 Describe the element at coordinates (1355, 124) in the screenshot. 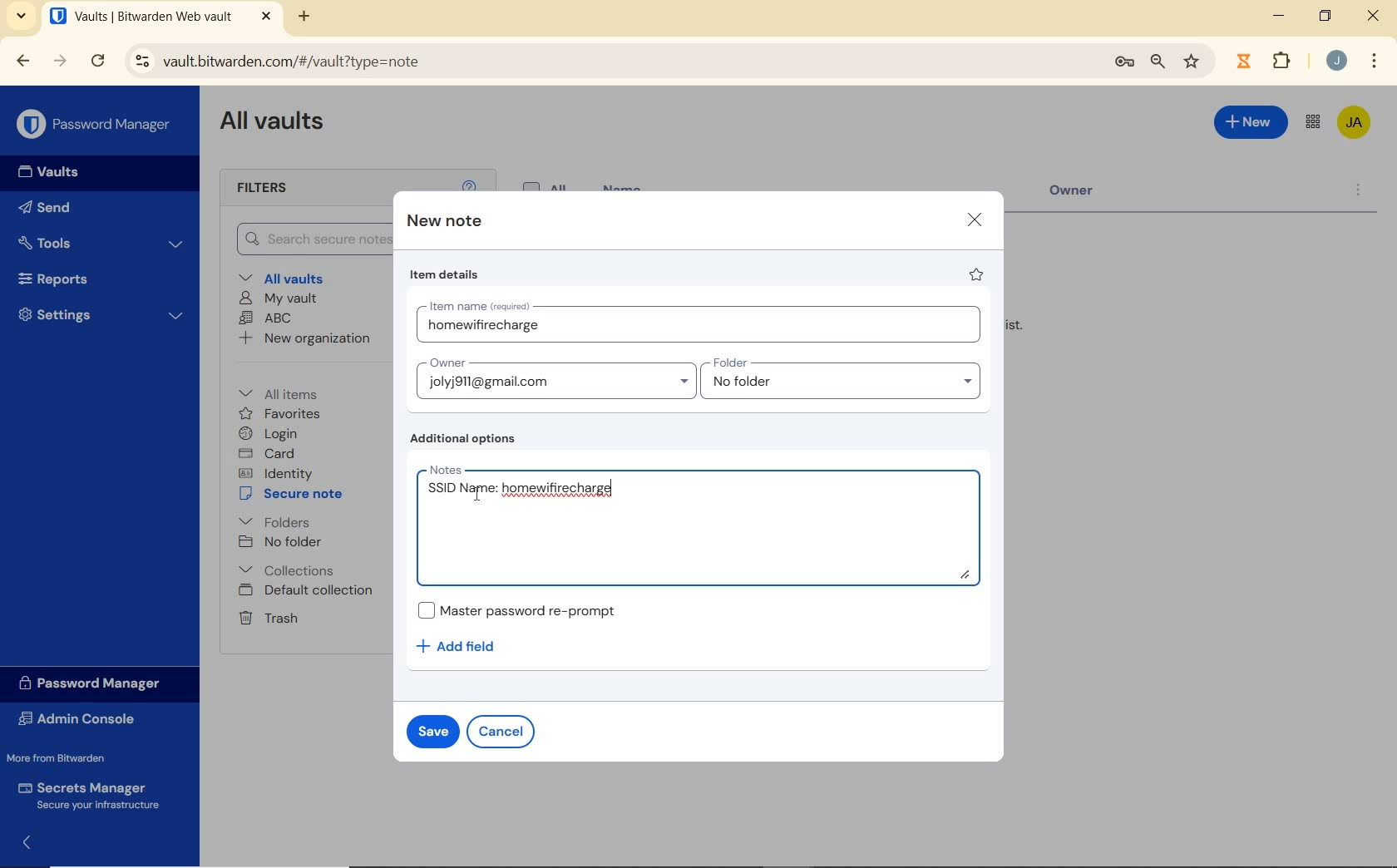

I see `Bitwarden Account` at that location.